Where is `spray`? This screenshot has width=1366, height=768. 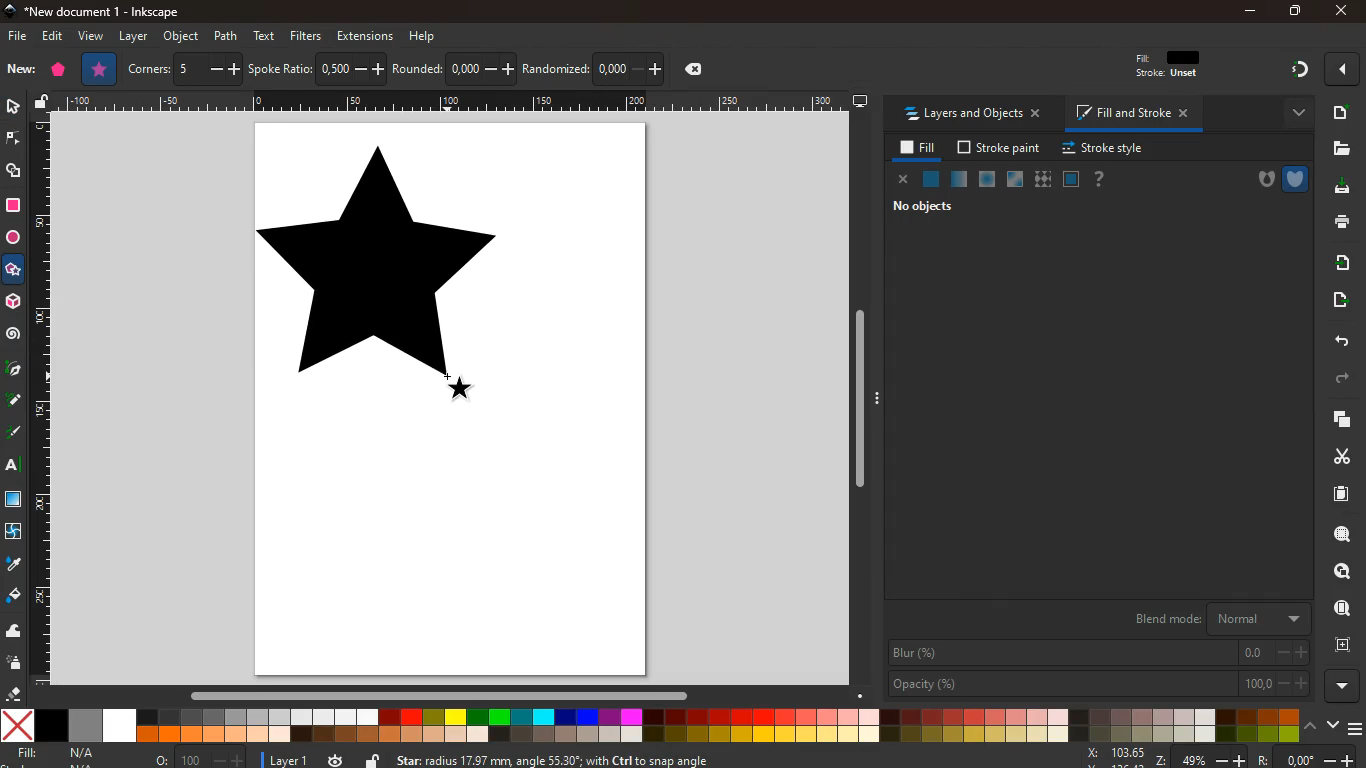
spray is located at coordinates (14, 662).